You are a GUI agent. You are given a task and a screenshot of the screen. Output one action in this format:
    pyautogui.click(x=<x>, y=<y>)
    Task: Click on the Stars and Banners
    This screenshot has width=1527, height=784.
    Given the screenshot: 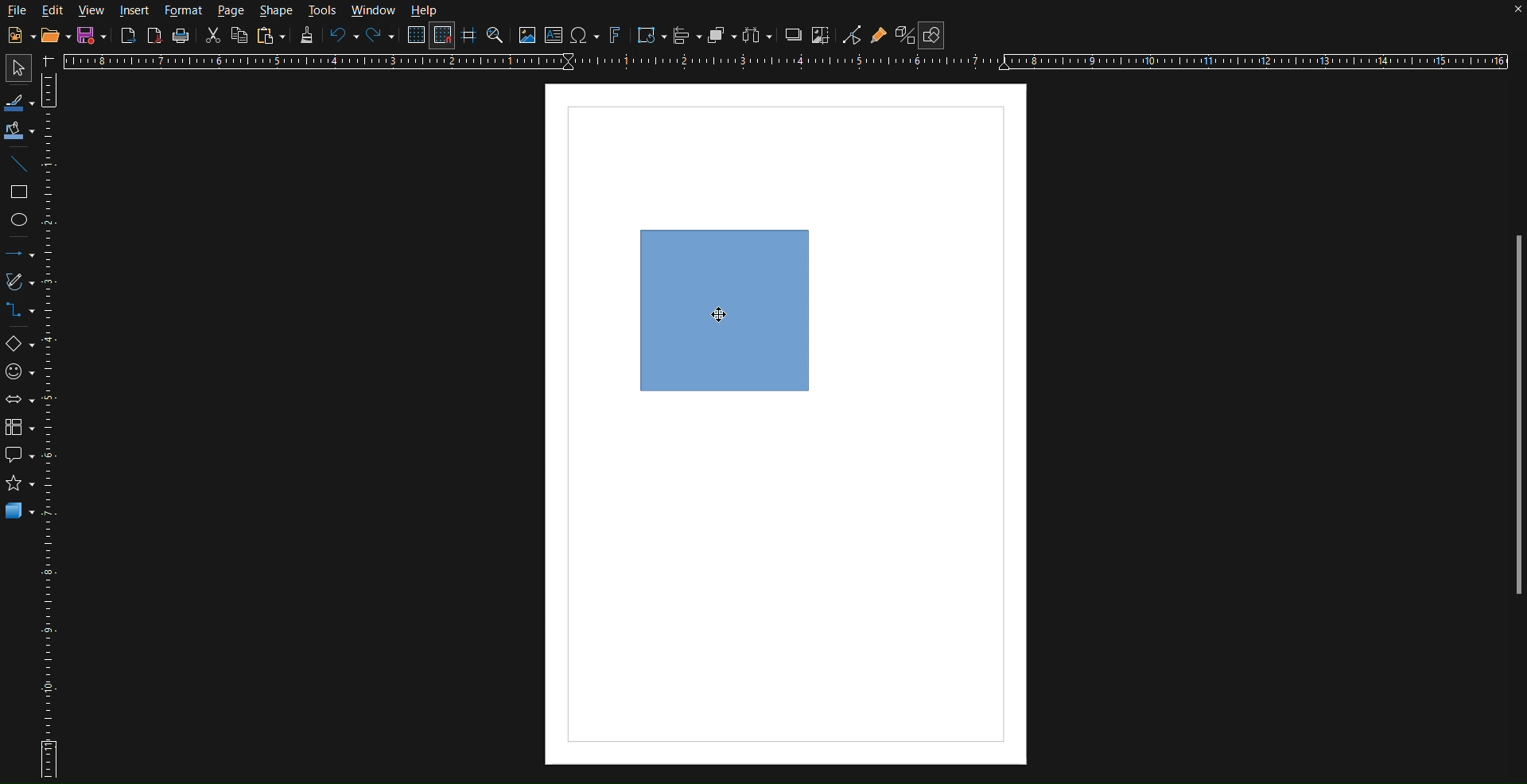 What is the action you would take?
    pyautogui.click(x=19, y=487)
    